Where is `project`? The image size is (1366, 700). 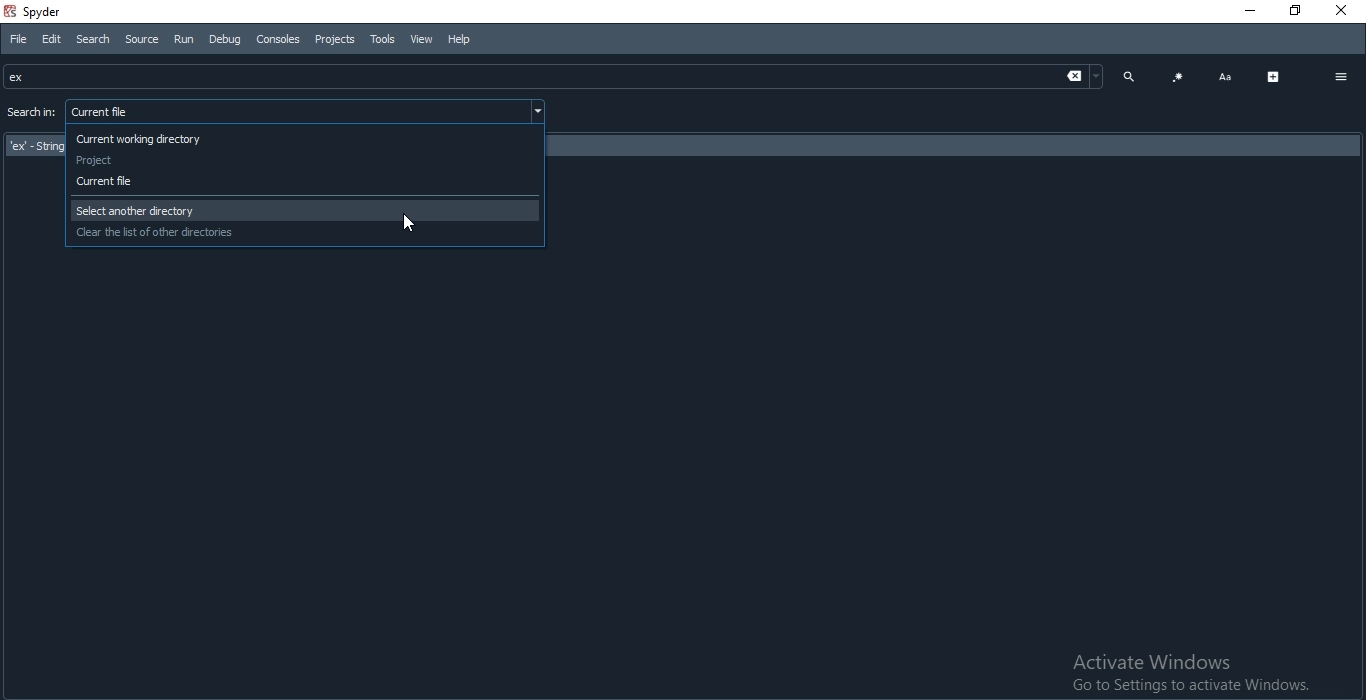
project is located at coordinates (305, 160).